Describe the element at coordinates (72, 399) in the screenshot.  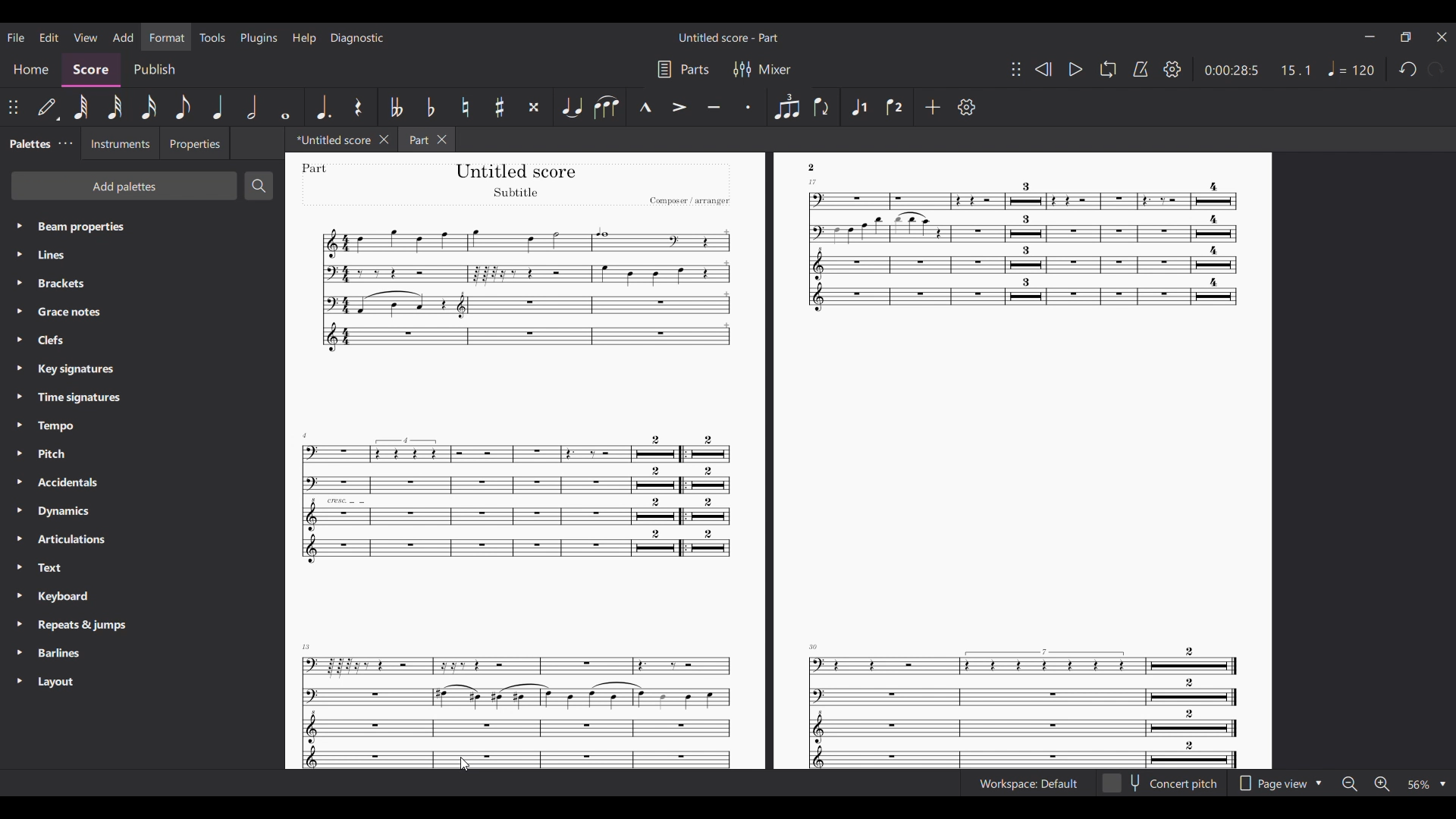
I see `Time signatures` at that location.